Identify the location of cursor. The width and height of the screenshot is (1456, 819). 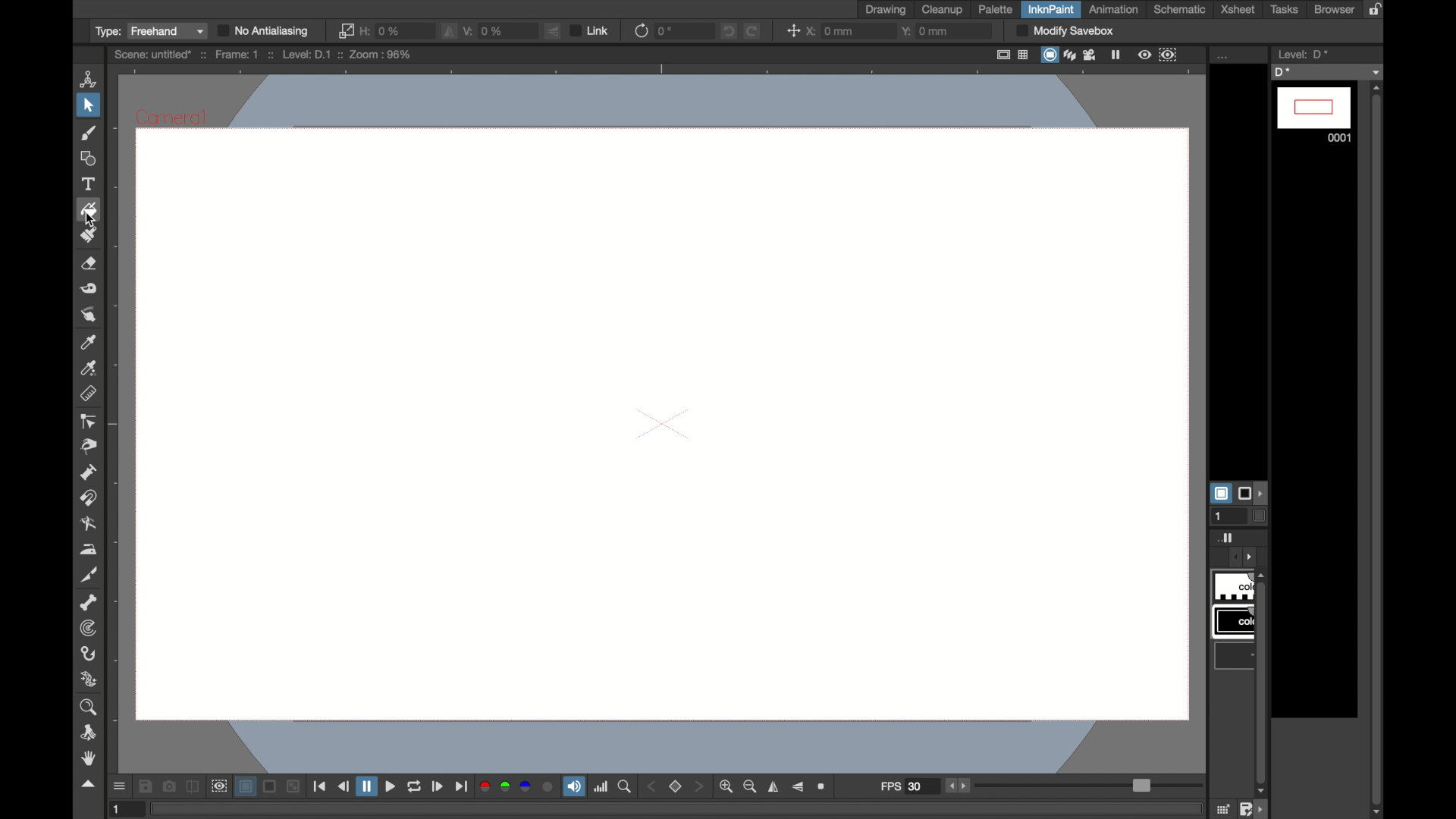
(93, 222).